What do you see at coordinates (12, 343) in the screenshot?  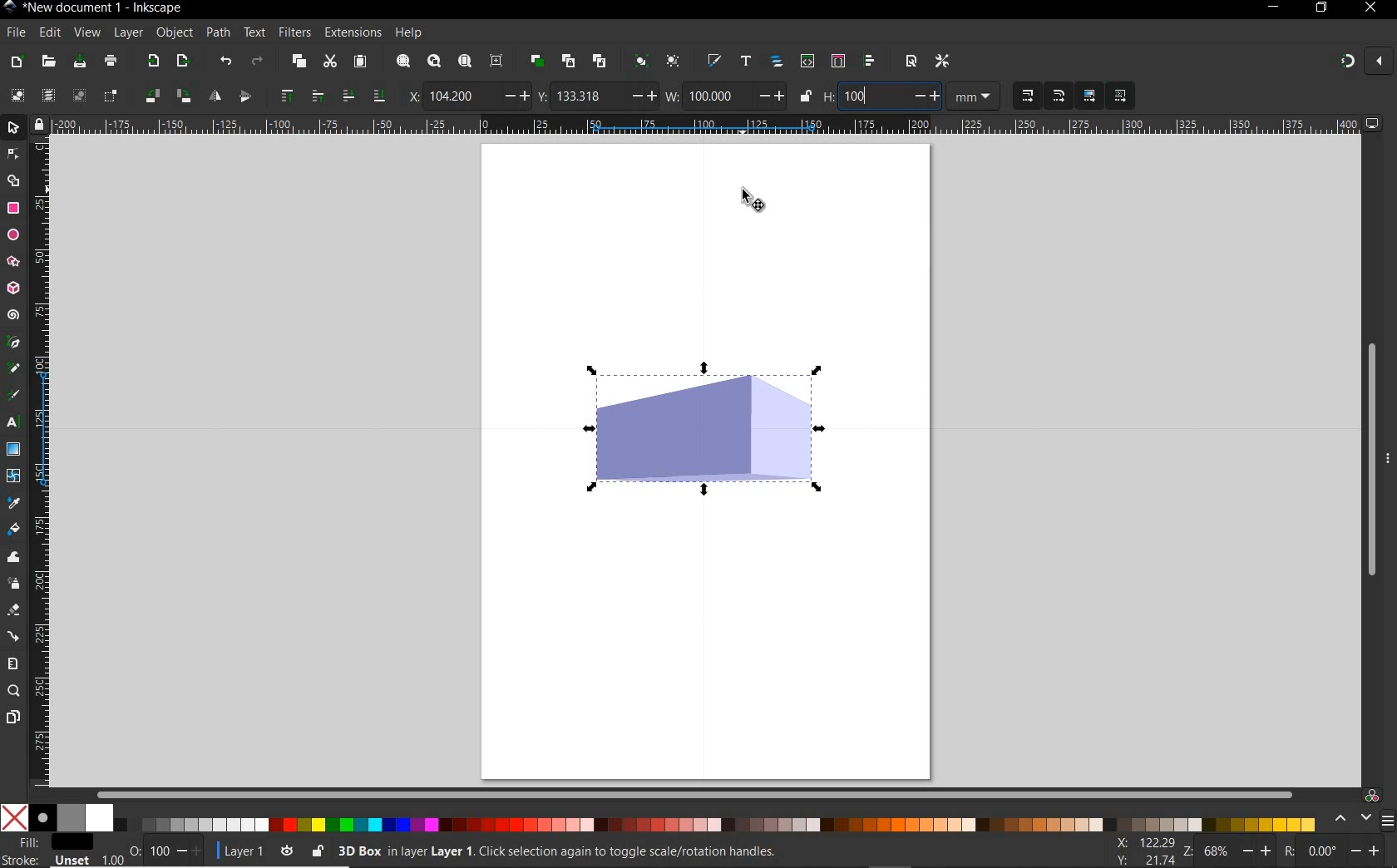 I see `pen tool` at bounding box center [12, 343].